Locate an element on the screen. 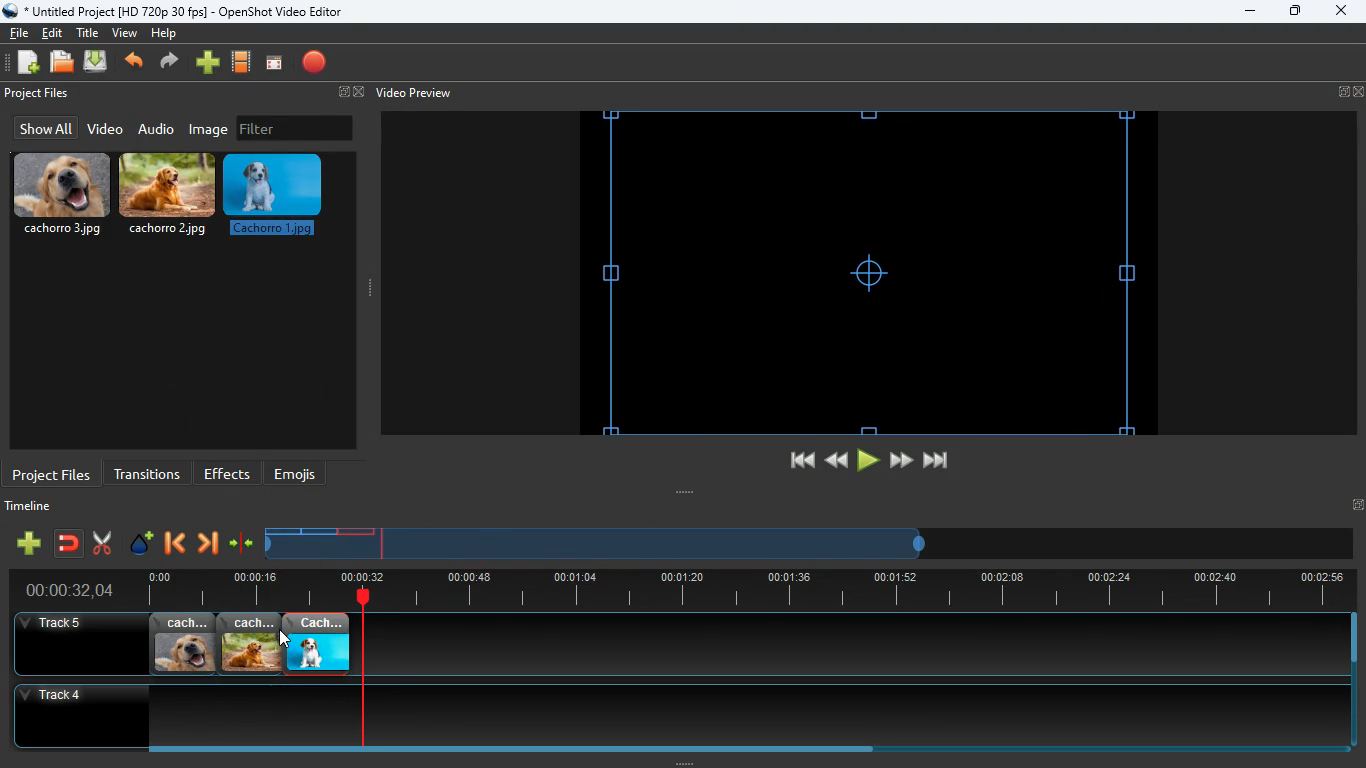 The width and height of the screenshot is (1366, 768). image is located at coordinates (210, 129).